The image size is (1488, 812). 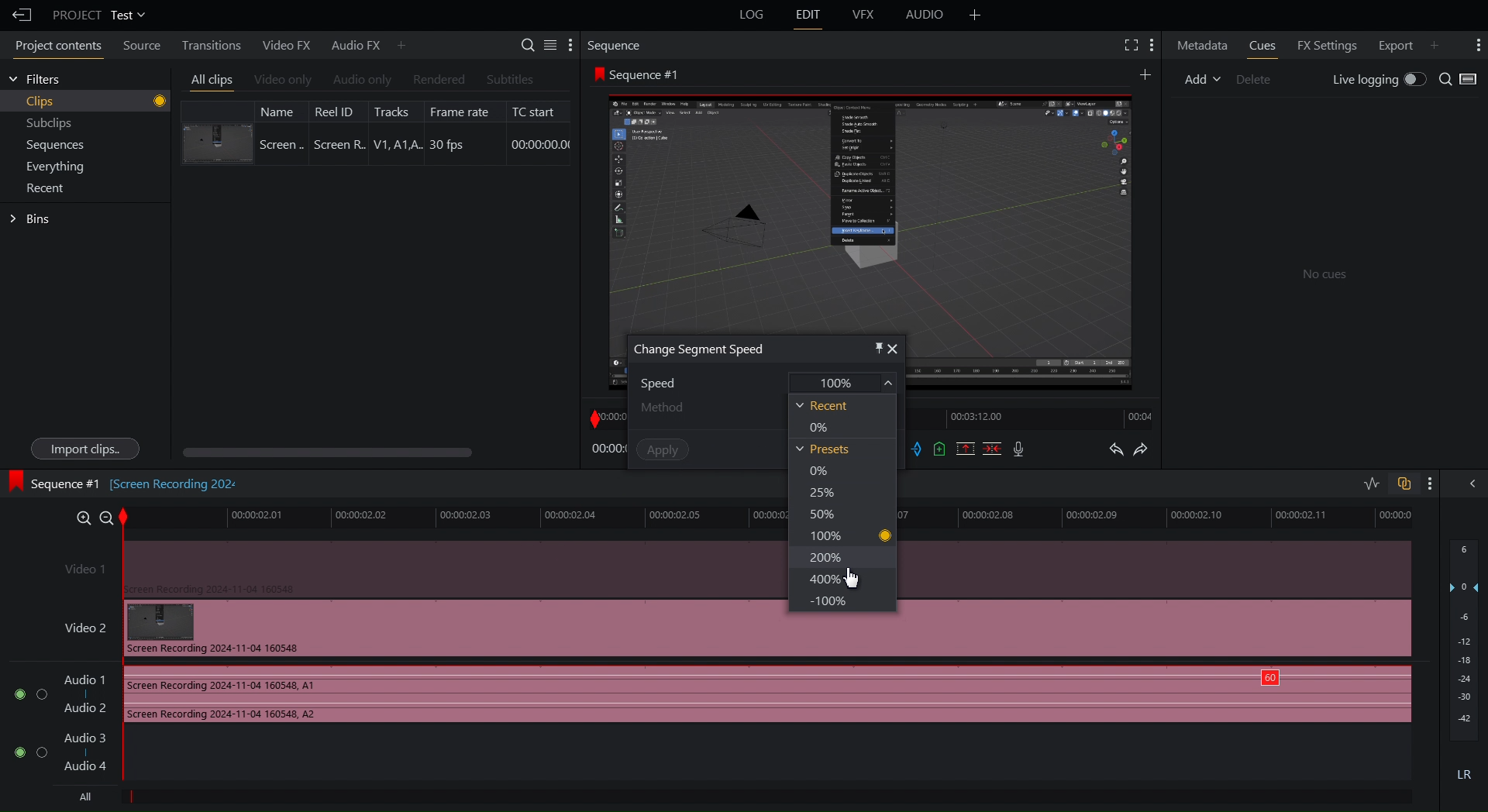 I want to click on Cursor, so click(x=852, y=580).